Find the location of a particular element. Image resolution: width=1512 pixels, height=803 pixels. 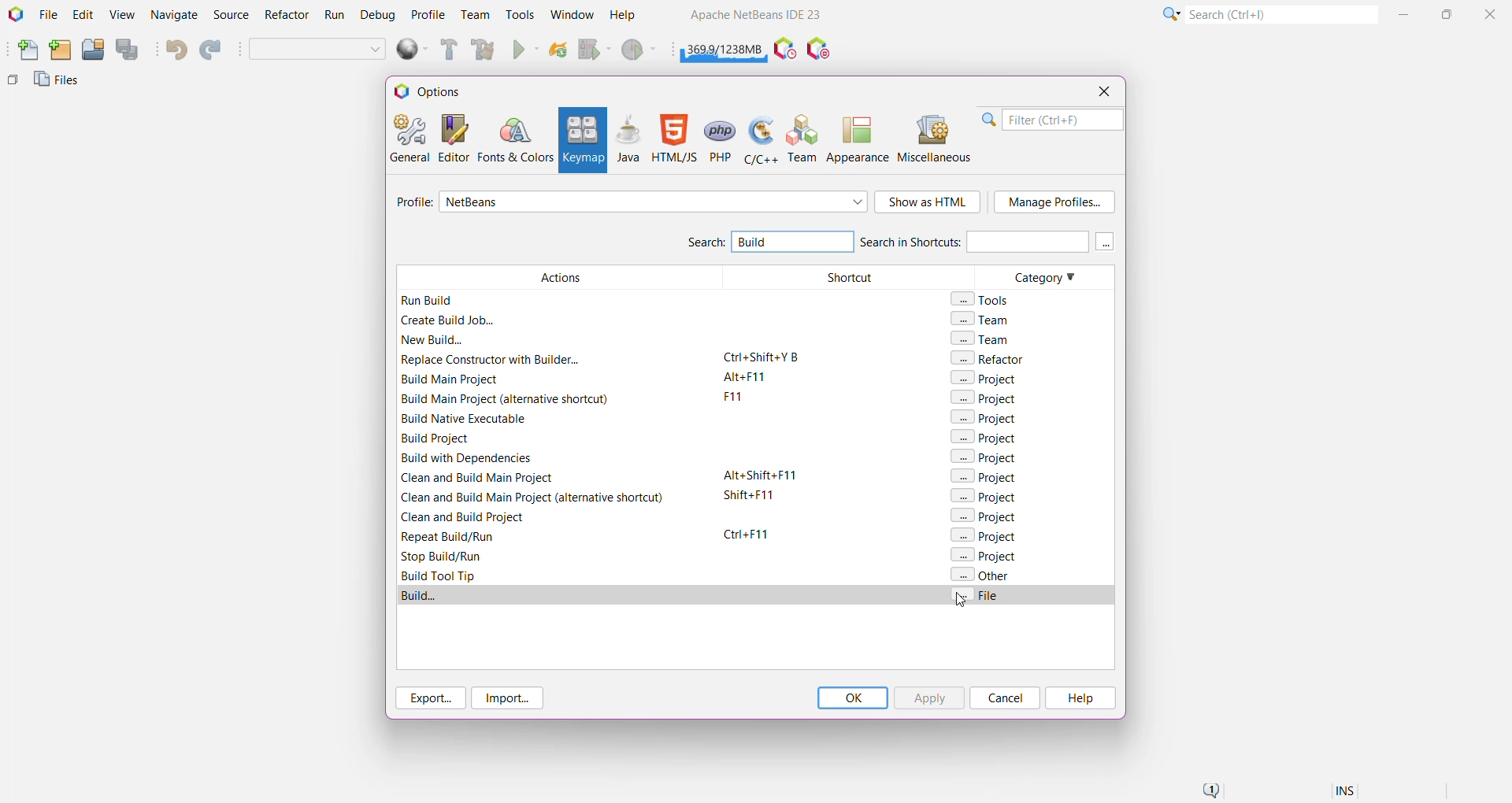

Undo is located at coordinates (175, 50).